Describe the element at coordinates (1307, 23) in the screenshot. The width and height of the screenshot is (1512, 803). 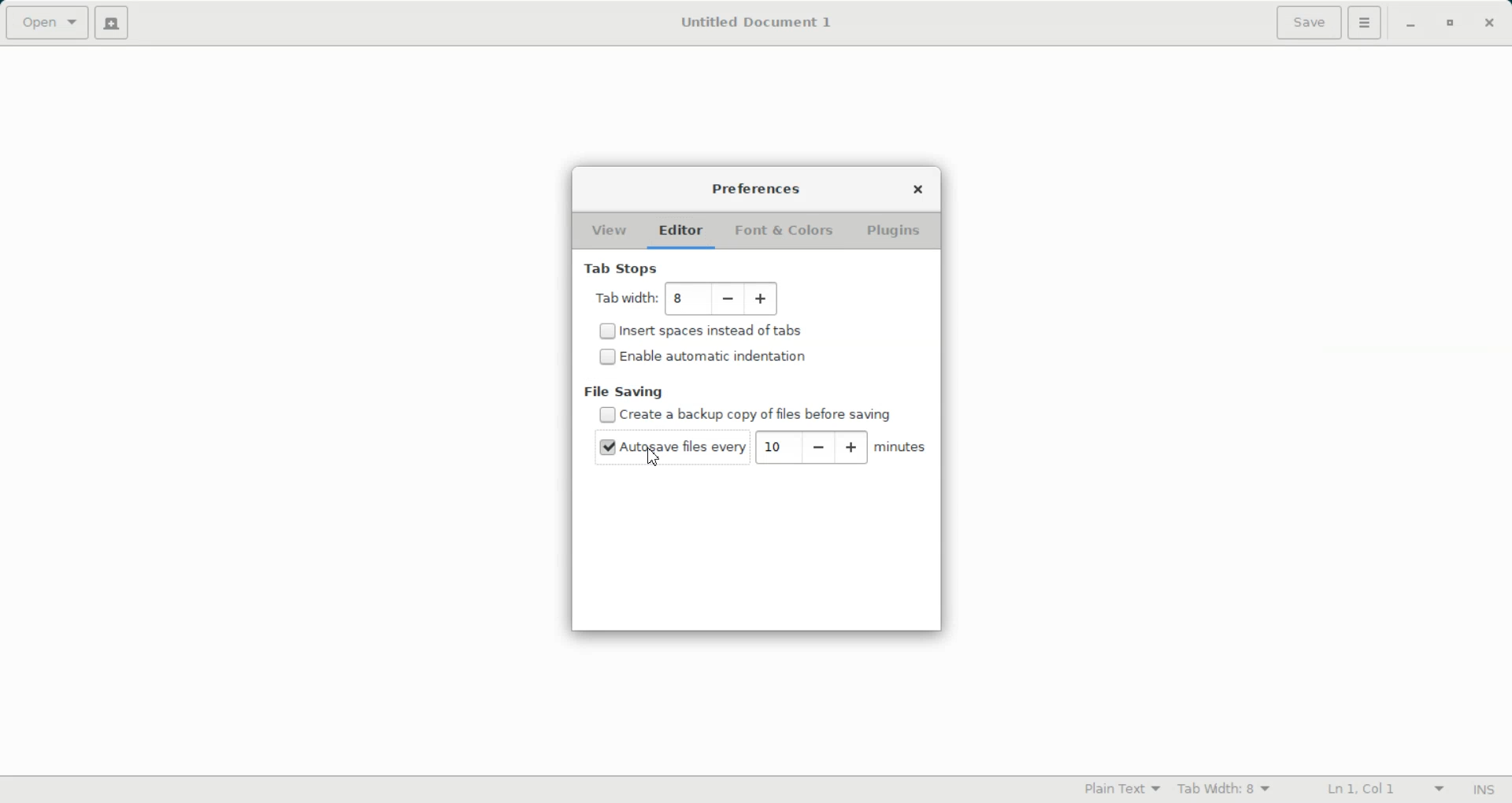
I see `Save` at that location.